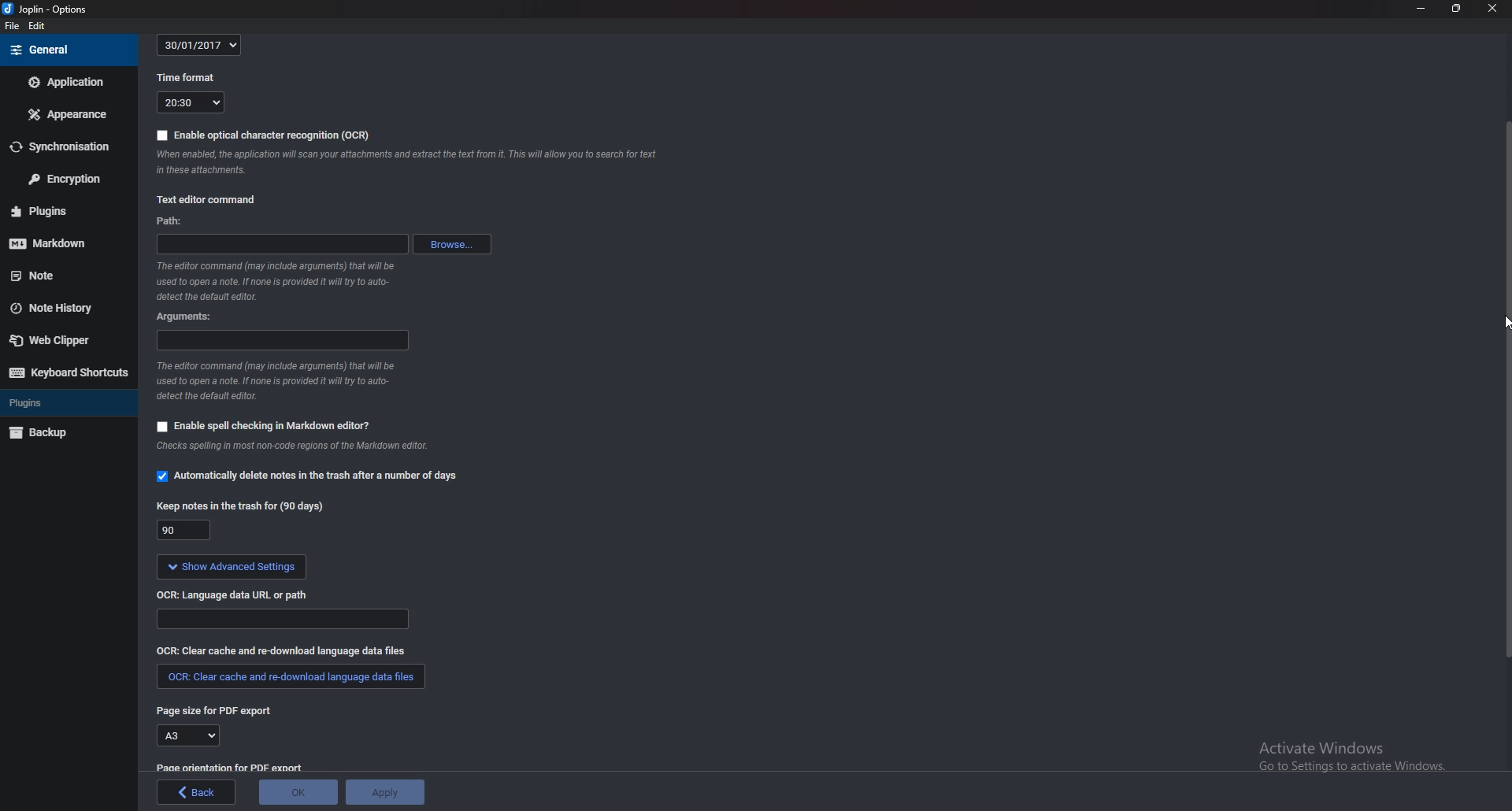  What do you see at coordinates (1490, 7) in the screenshot?
I see `close` at bounding box center [1490, 7].